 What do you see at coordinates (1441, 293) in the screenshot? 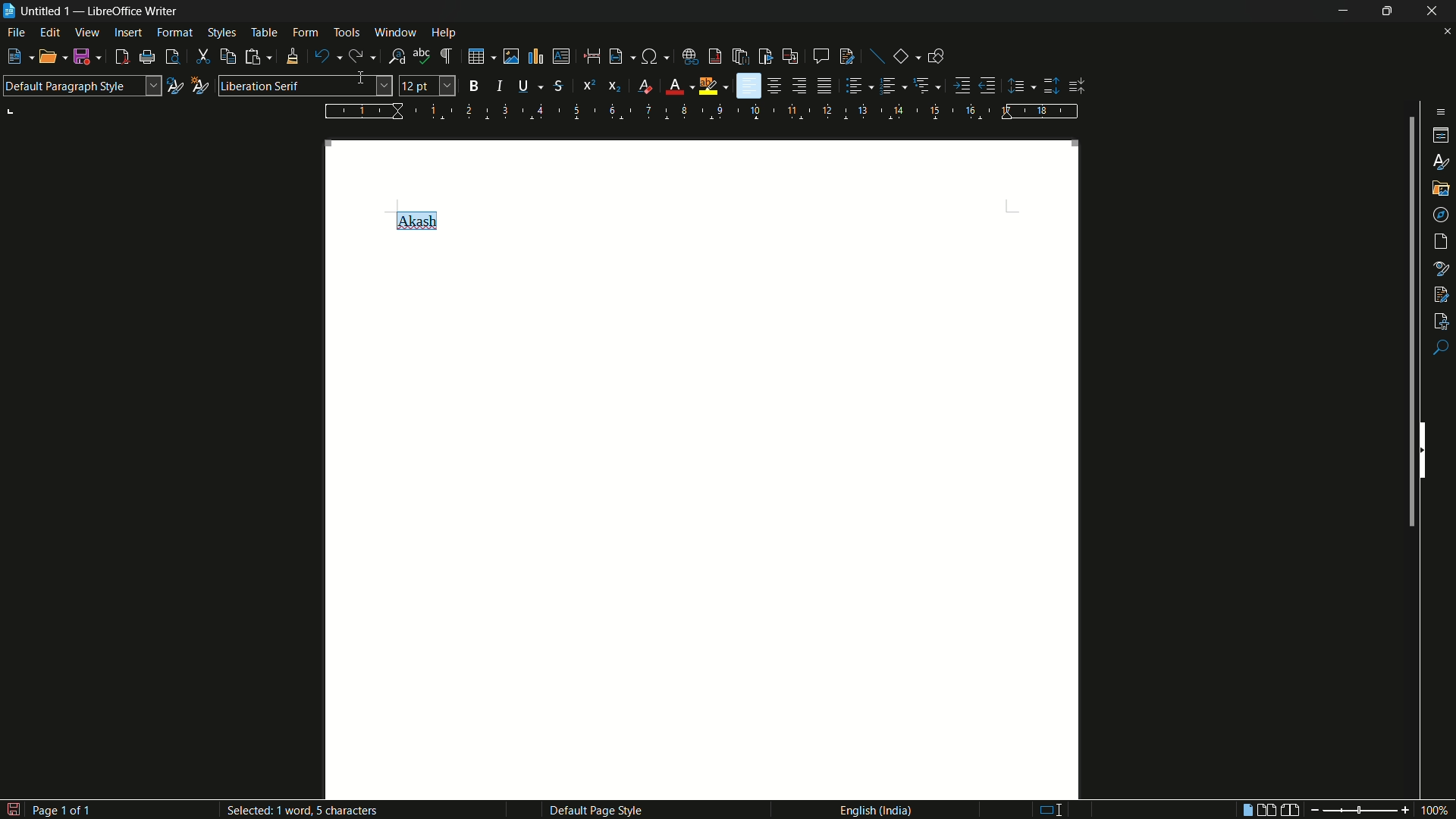
I see `manage changes` at bounding box center [1441, 293].